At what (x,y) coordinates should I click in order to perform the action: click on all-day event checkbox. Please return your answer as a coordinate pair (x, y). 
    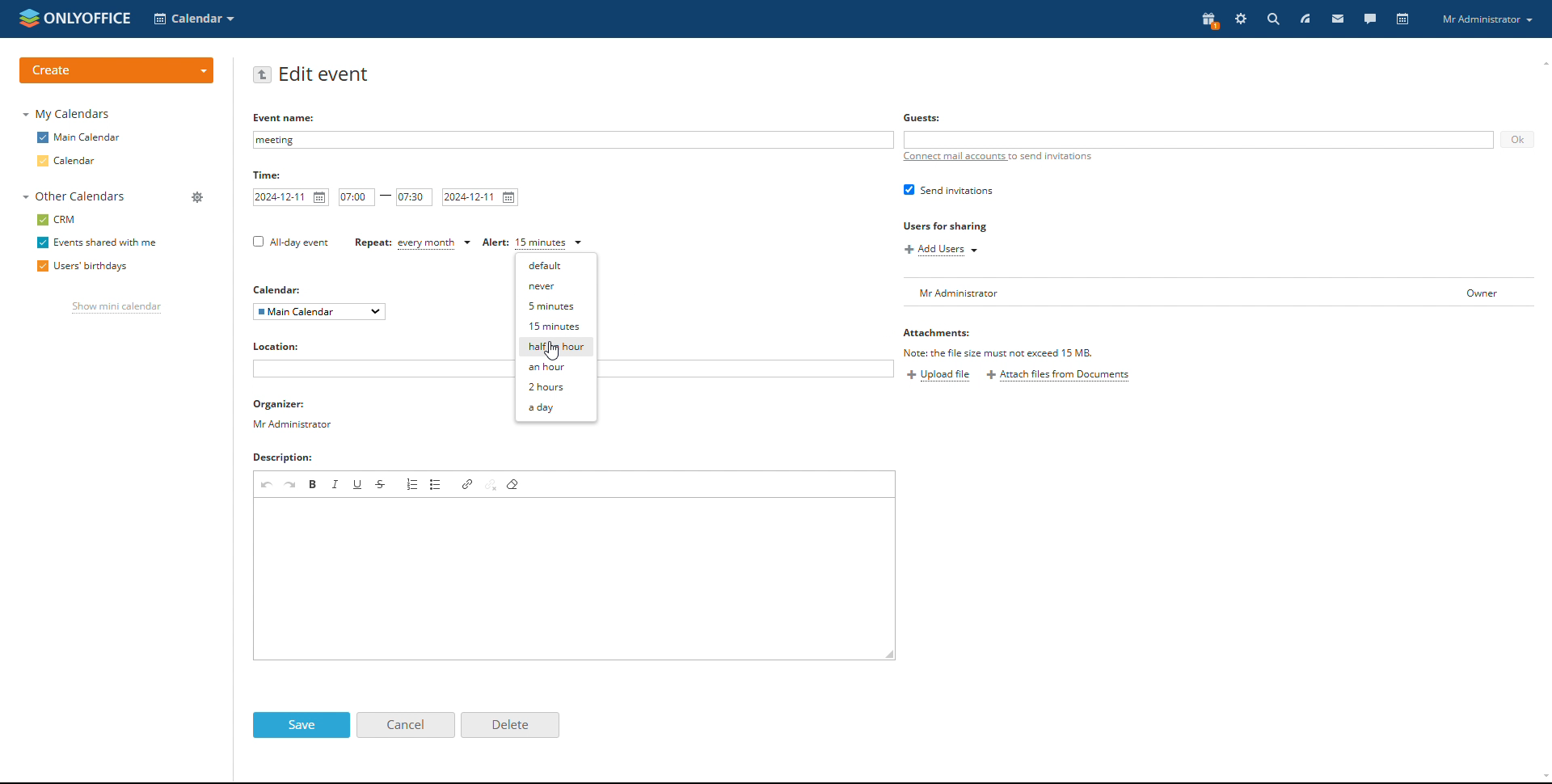
    Looking at the image, I should click on (289, 242).